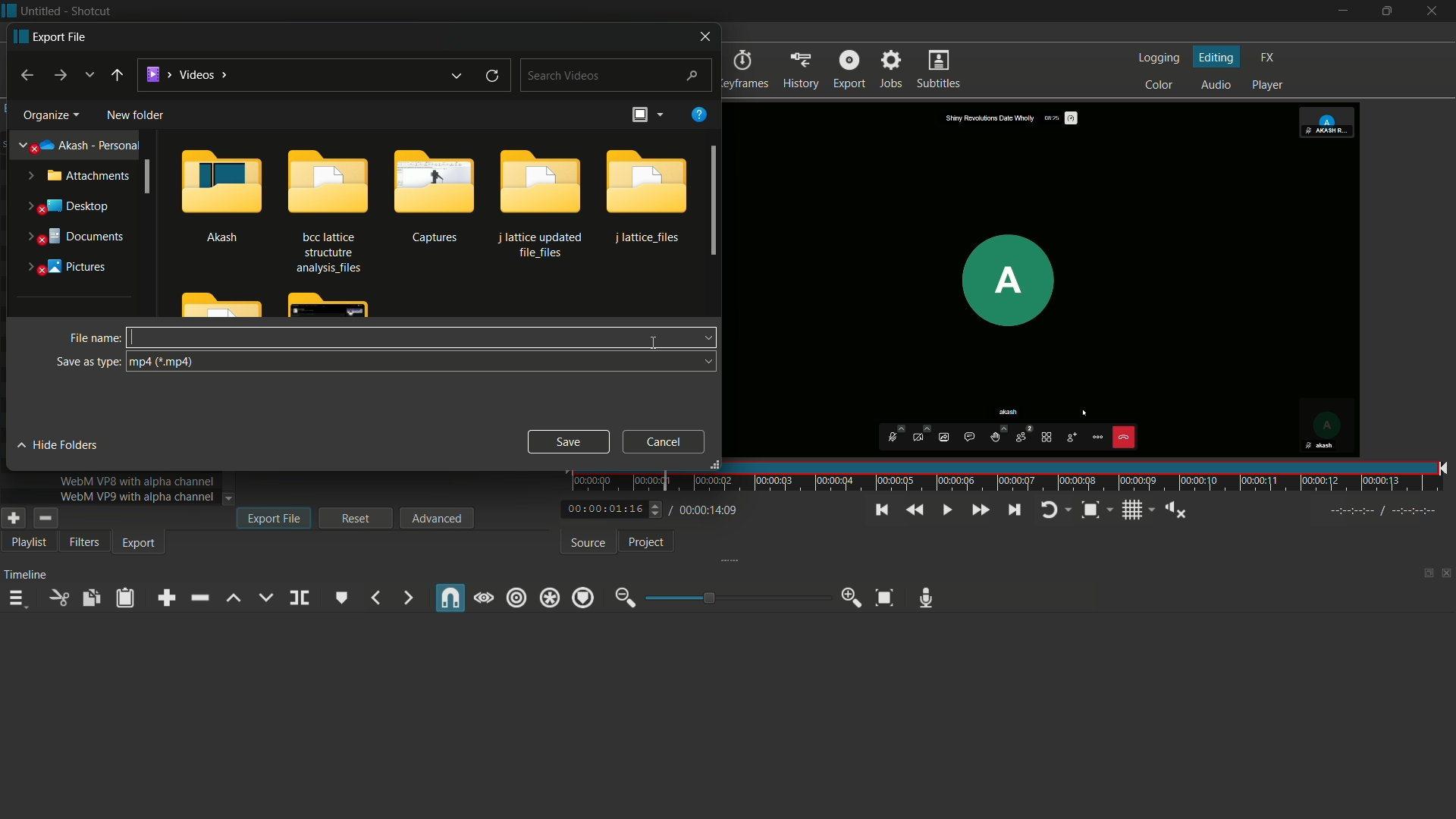 The width and height of the screenshot is (1456, 819). What do you see at coordinates (664, 441) in the screenshot?
I see `cancel` at bounding box center [664, 441].